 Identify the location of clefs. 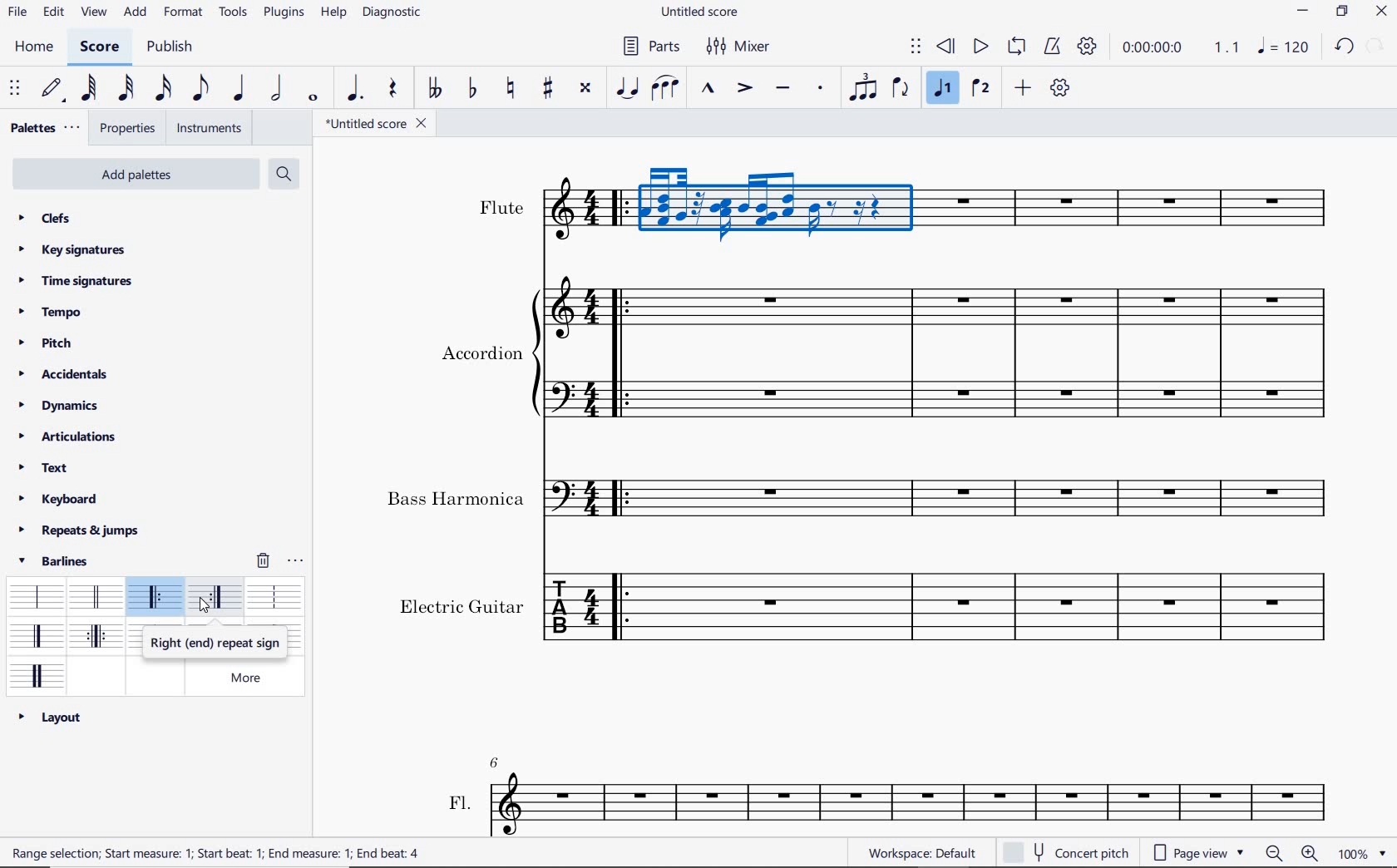
(42, 217).